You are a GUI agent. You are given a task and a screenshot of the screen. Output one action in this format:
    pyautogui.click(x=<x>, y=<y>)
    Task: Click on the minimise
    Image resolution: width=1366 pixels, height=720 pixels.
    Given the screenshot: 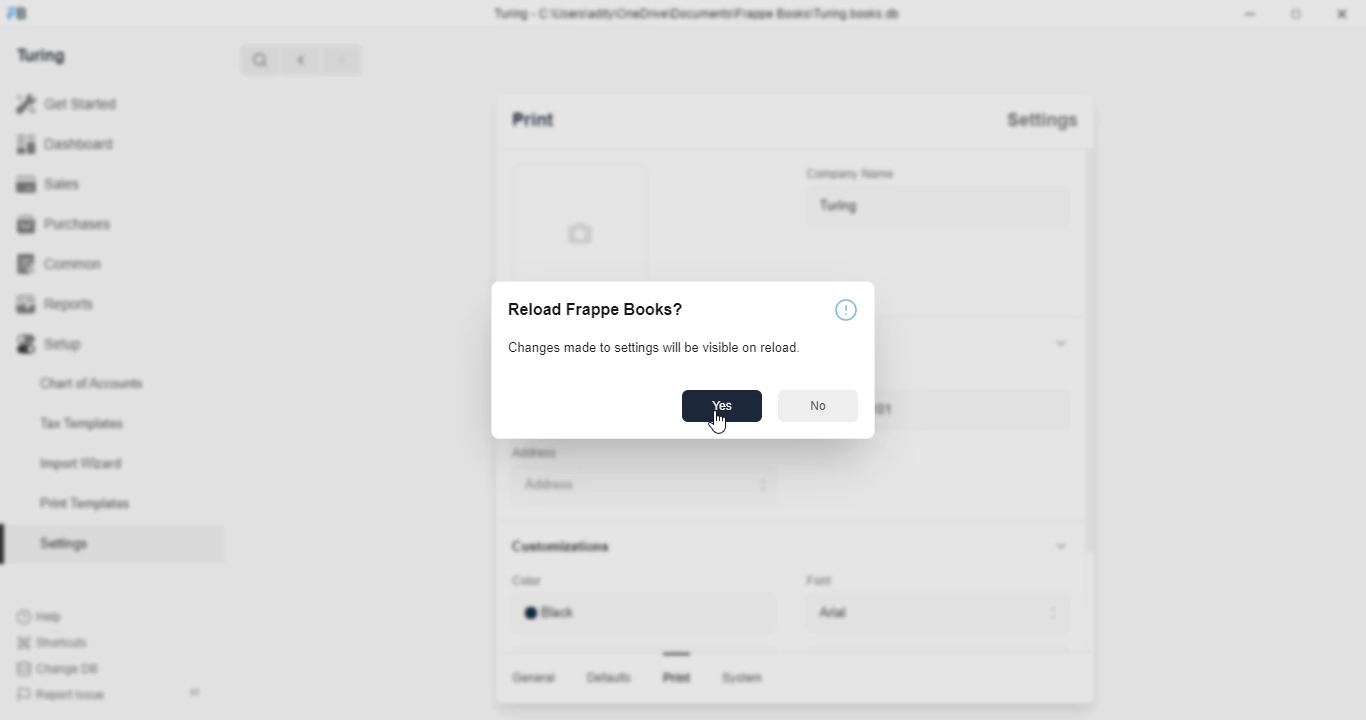 What is the action you would take?
    pyautogui.click(x=1253, y=13)
    